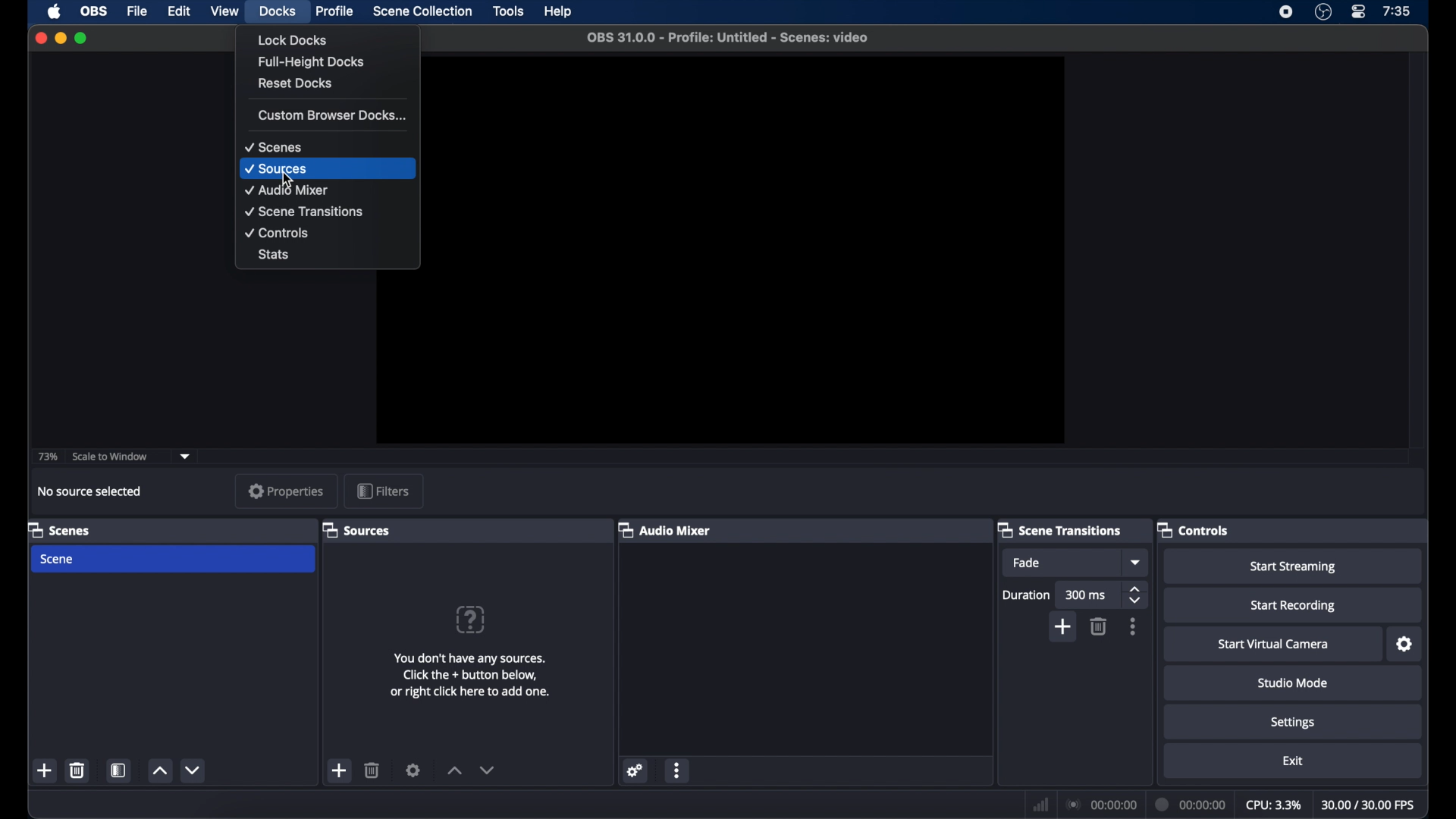 This screenshot has width=1456, height=819. I want to click on start recording, so click(1292, 605).